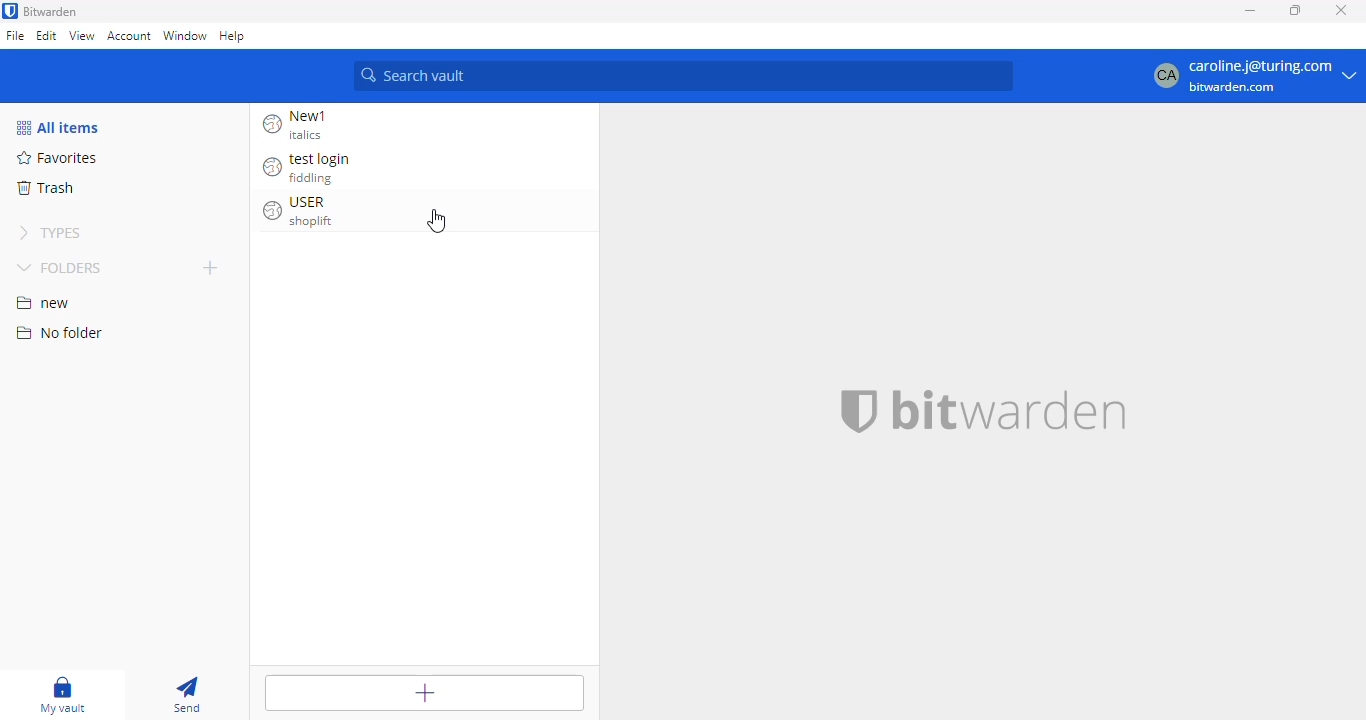 The width and height of the screenshot is (1366, 720). What do you see at coordinates (859, 411) in the screenshot?
I see `logo` at bounding box center [859, 411].